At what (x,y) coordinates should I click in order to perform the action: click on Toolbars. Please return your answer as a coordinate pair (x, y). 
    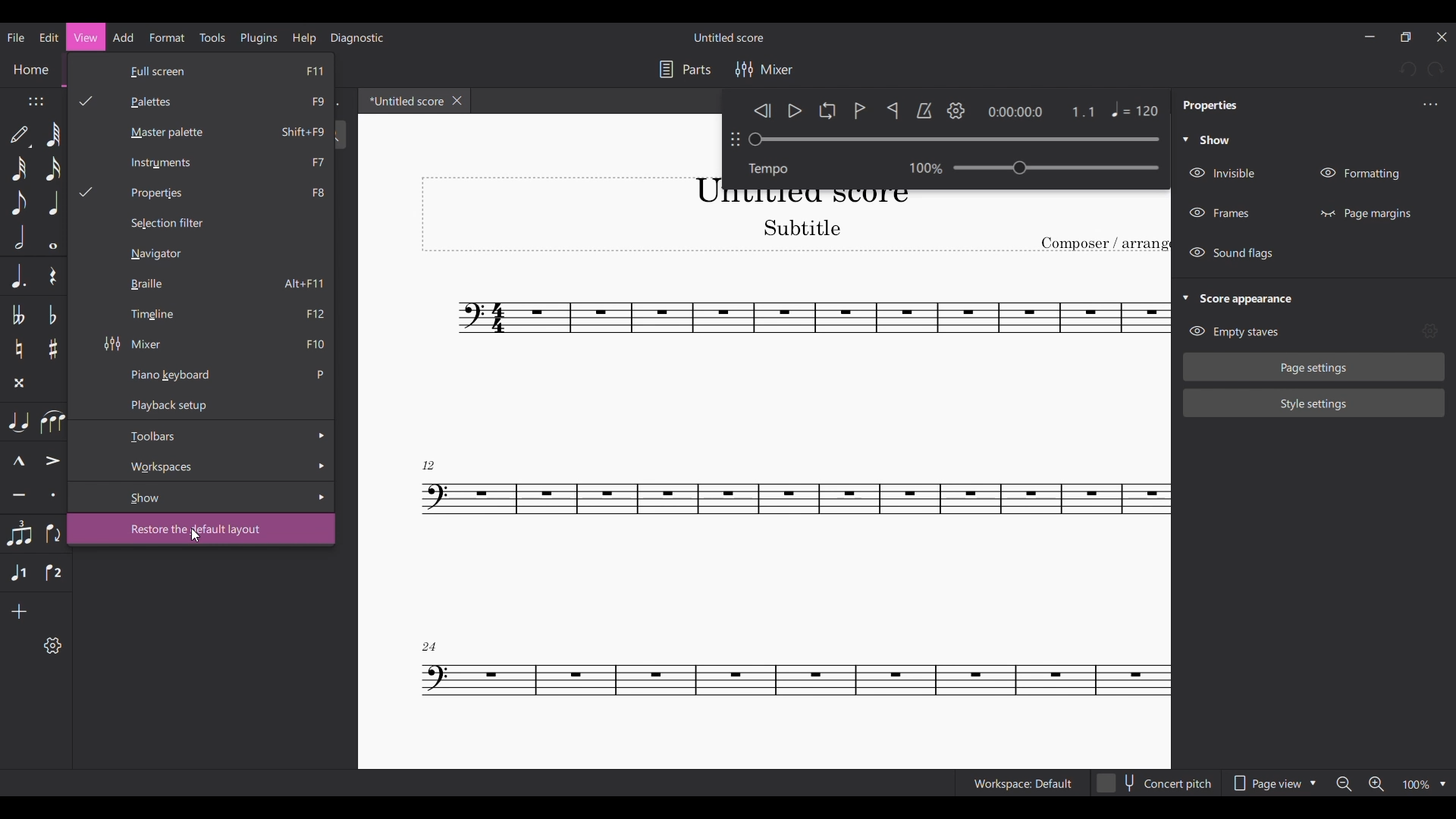
    Looking at the image, I should click on (215, 435).